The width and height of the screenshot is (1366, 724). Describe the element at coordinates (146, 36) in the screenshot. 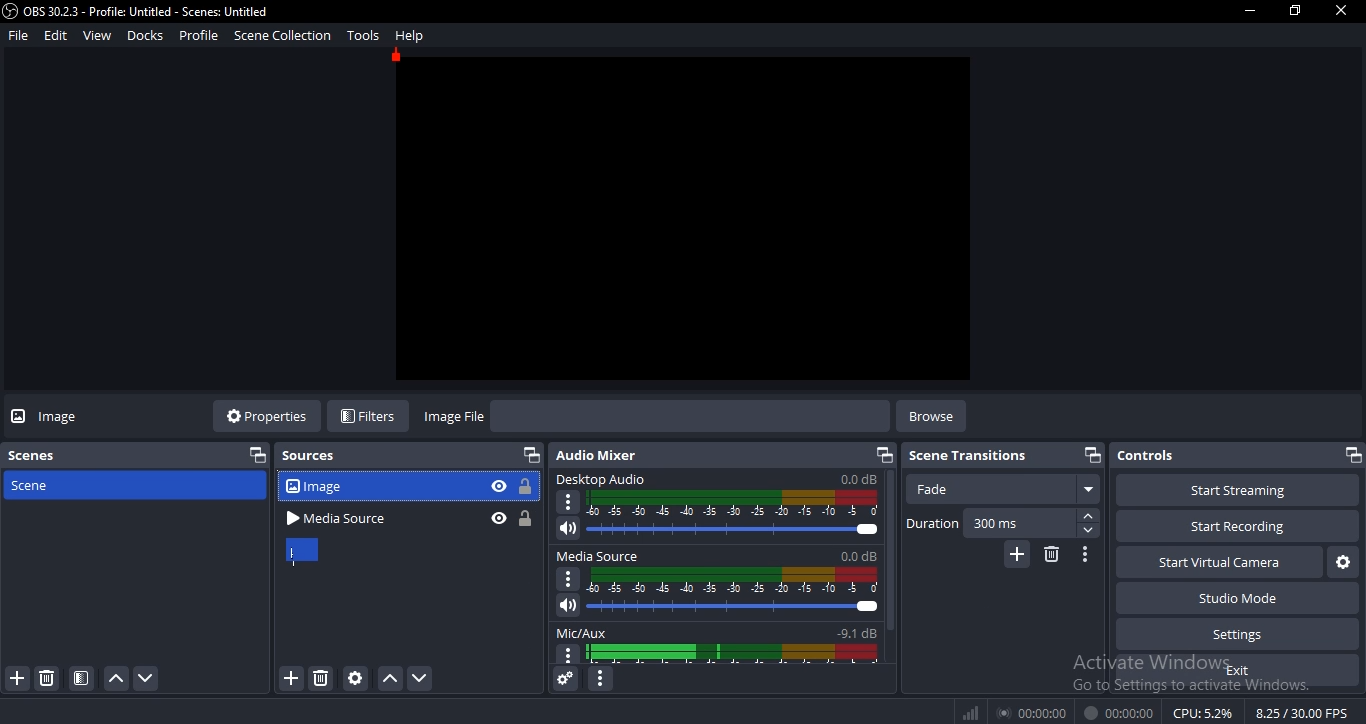

I see `docks` at that location.